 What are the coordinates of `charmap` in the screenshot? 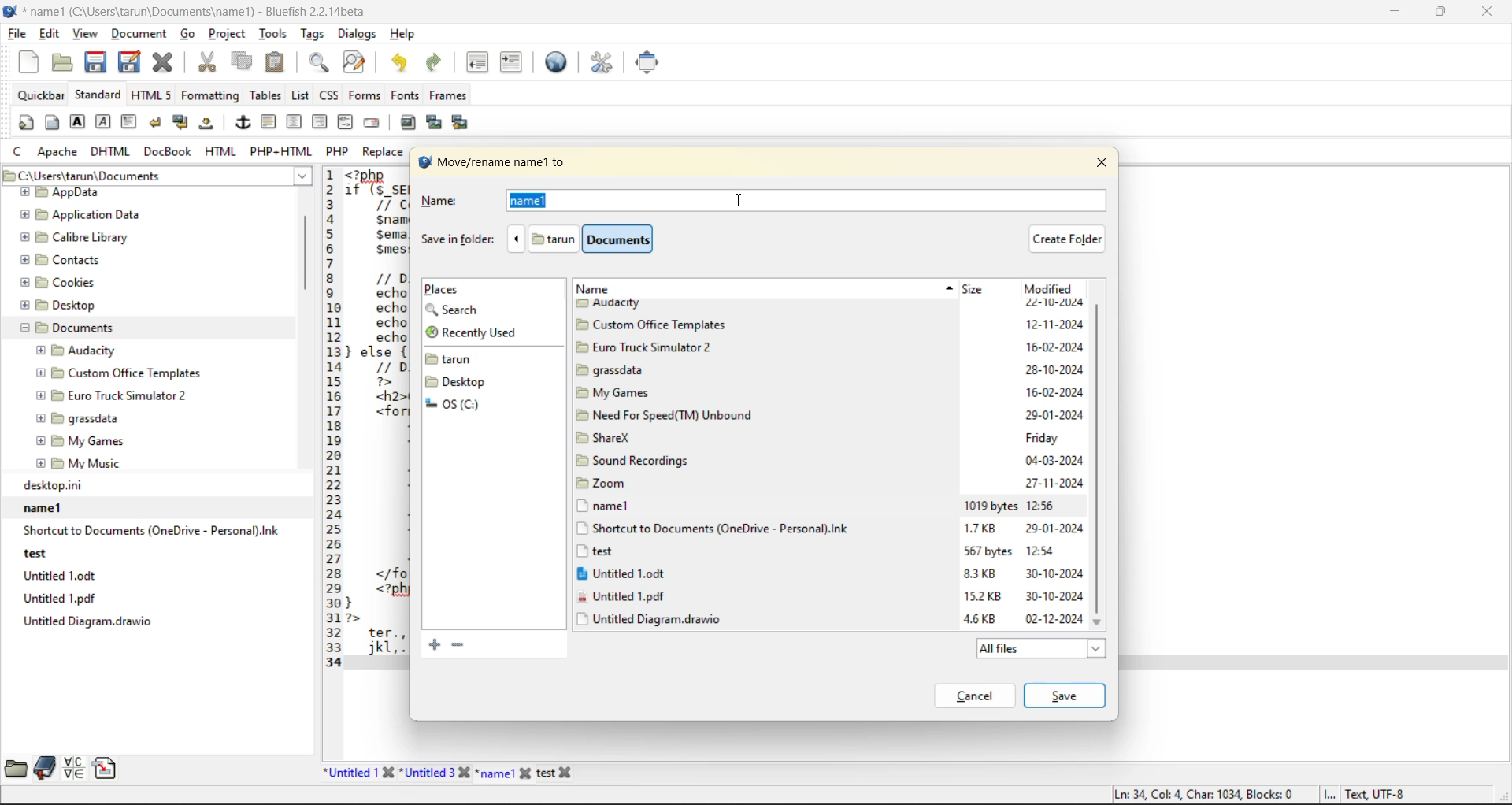 It's located at (74, 768).